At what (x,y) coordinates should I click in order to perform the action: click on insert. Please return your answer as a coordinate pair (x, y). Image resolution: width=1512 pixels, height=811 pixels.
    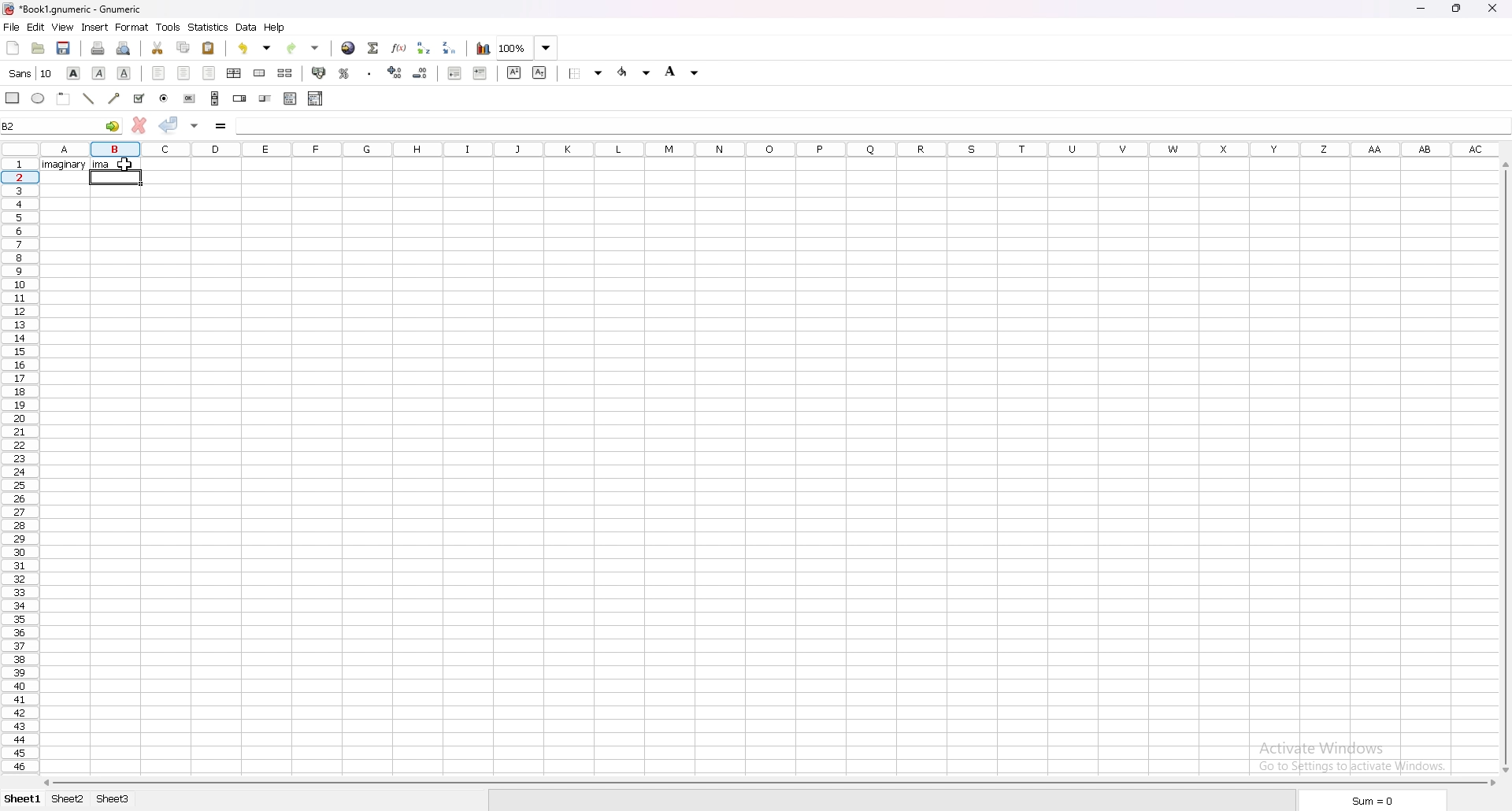
    Looking at the image, I should click on (95, 27).